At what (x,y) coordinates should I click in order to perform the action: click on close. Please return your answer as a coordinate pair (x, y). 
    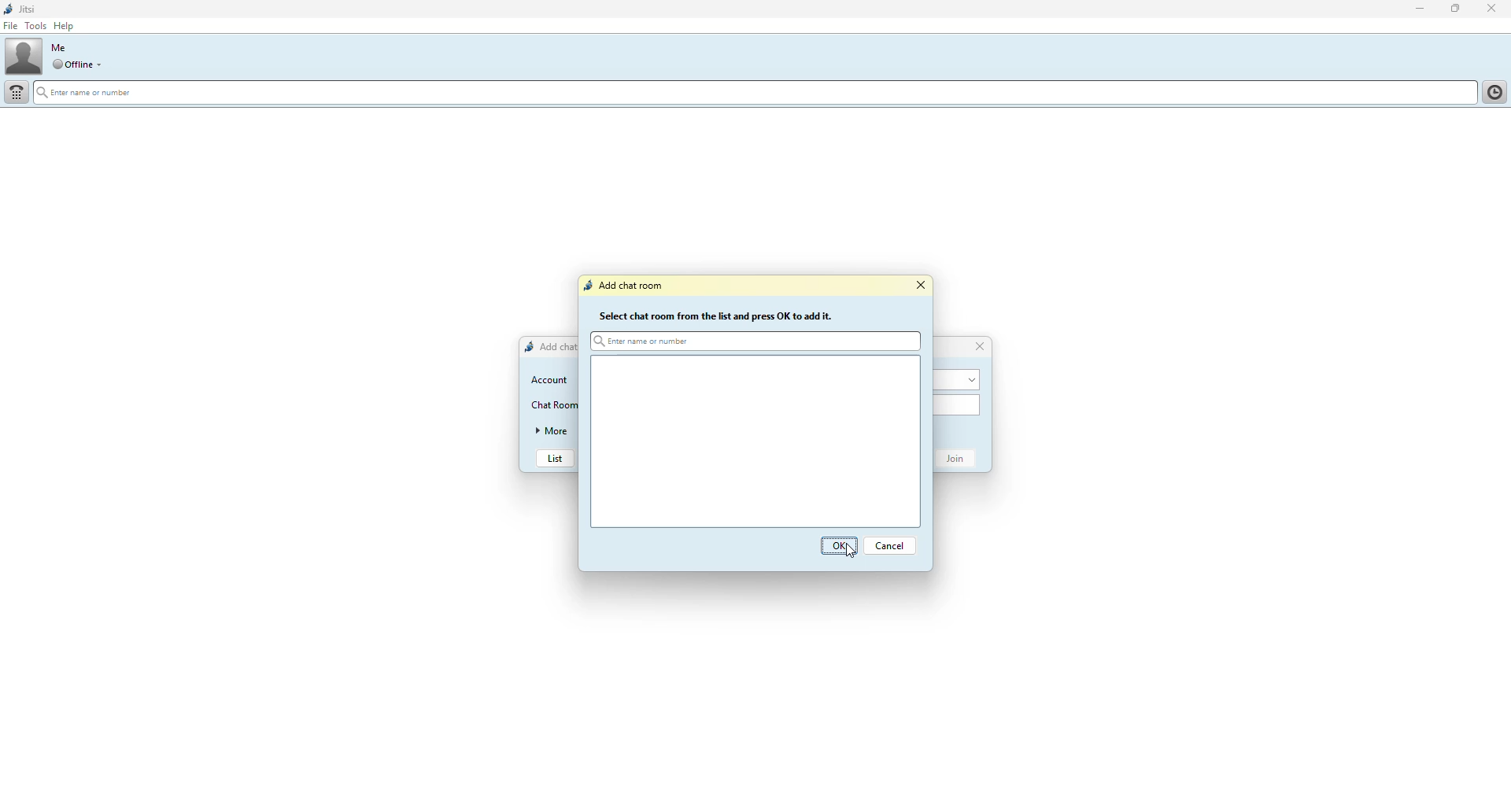
    Looking at the image, I should click on (982, 349).